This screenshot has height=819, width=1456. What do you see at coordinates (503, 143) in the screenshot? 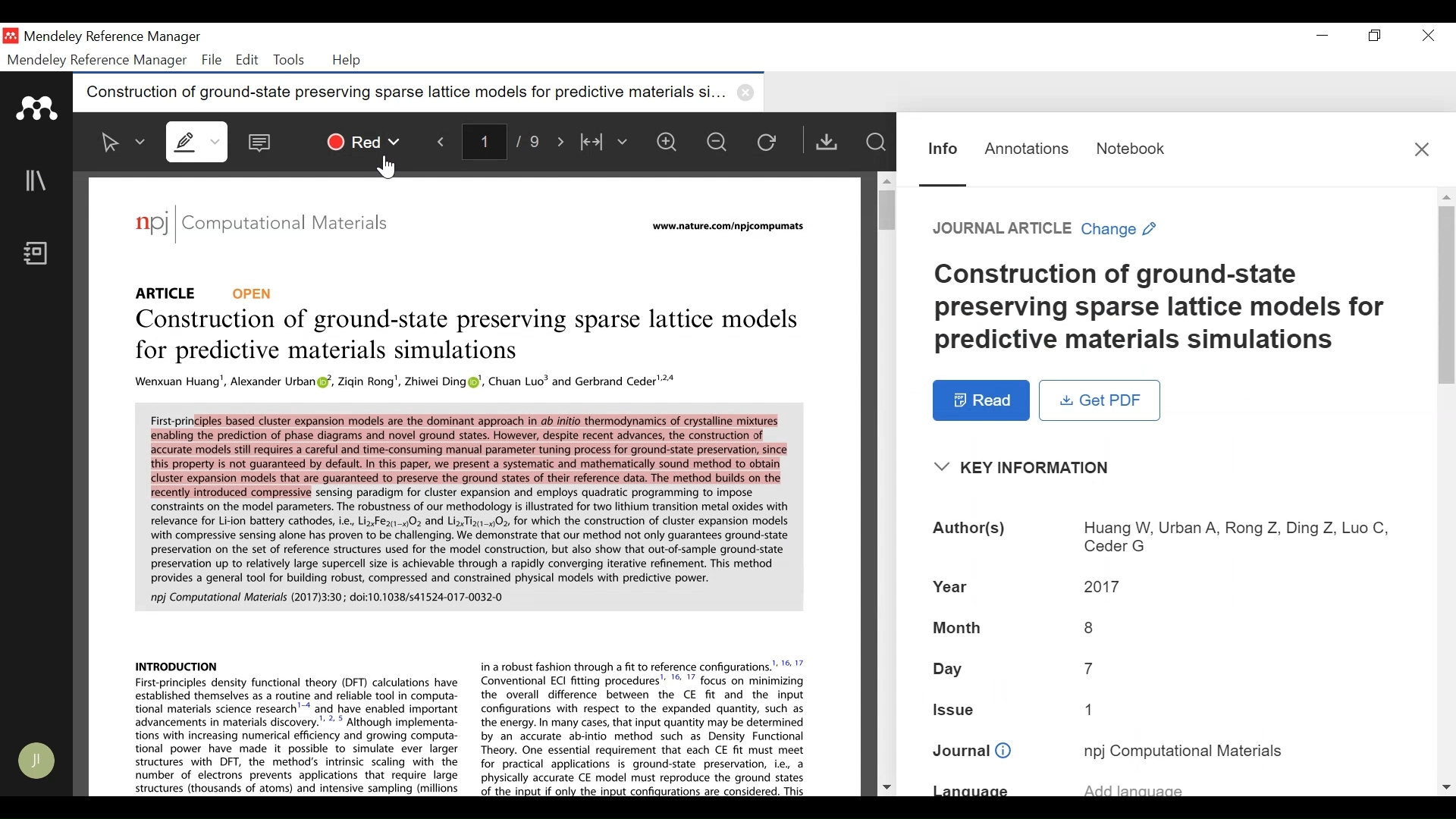
I see `1/9` at bounding box center [503, 143].